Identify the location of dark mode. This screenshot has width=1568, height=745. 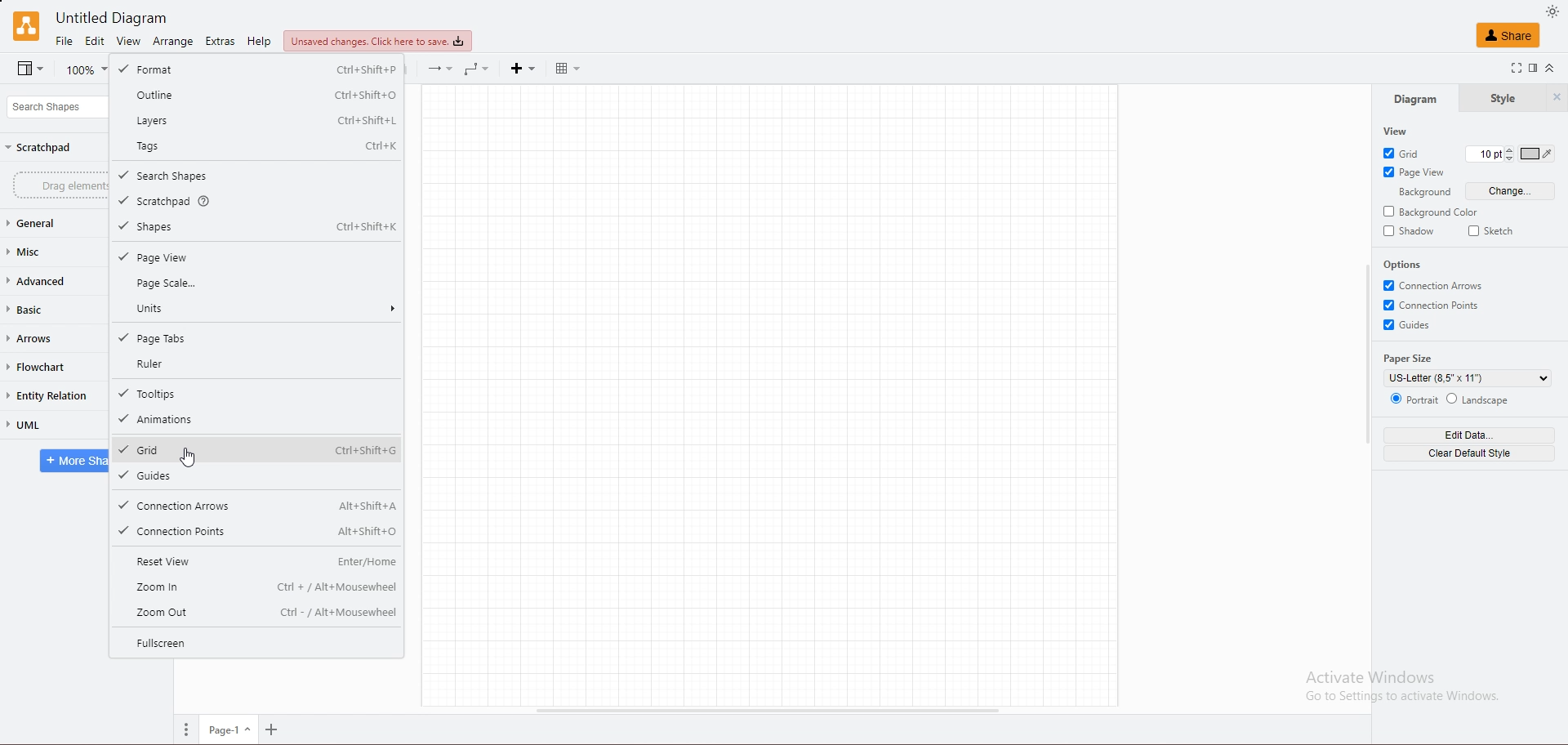
(1553, 12).